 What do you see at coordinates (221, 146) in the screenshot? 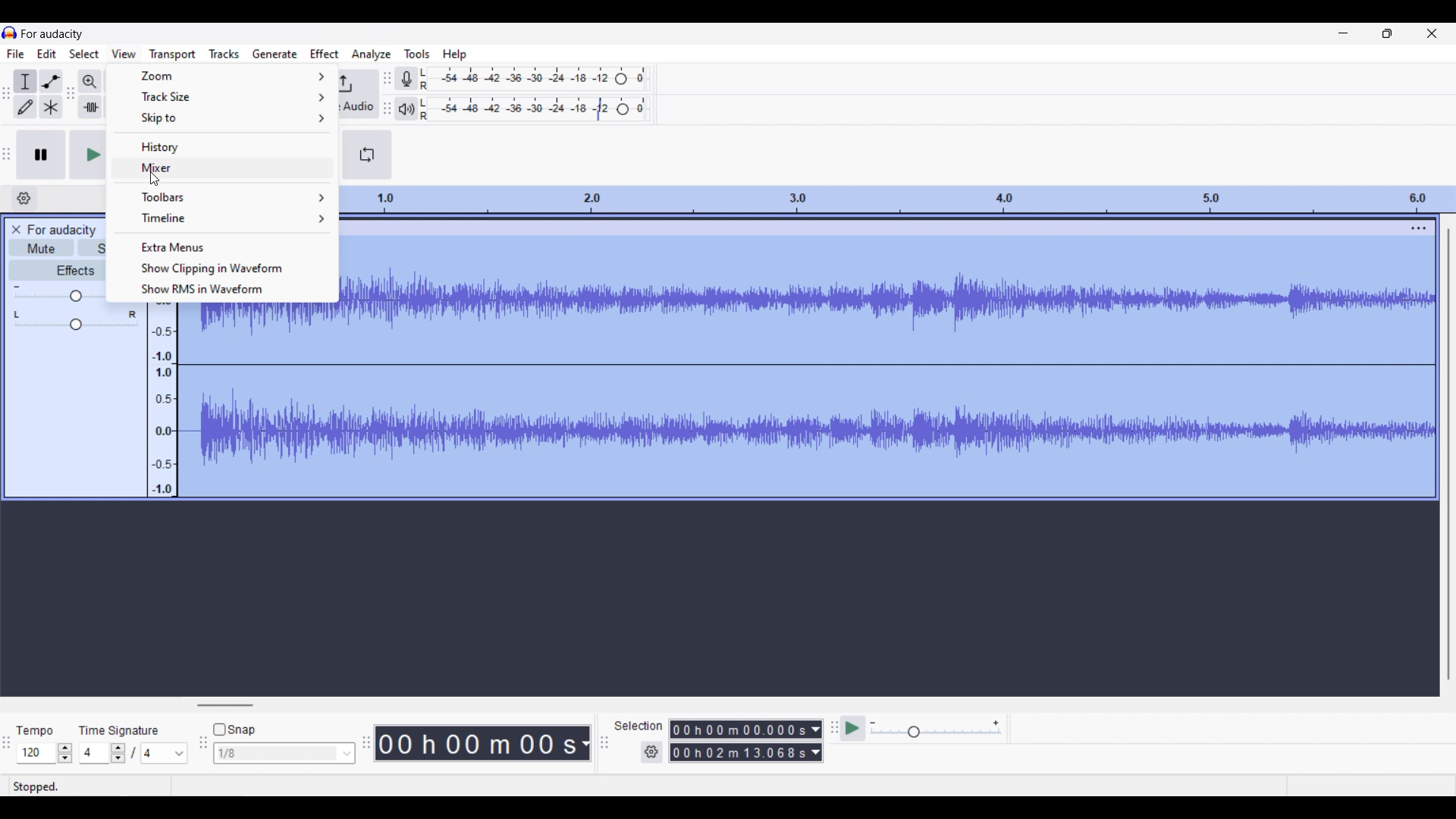
I see `History` at bounding box center [221, 146].